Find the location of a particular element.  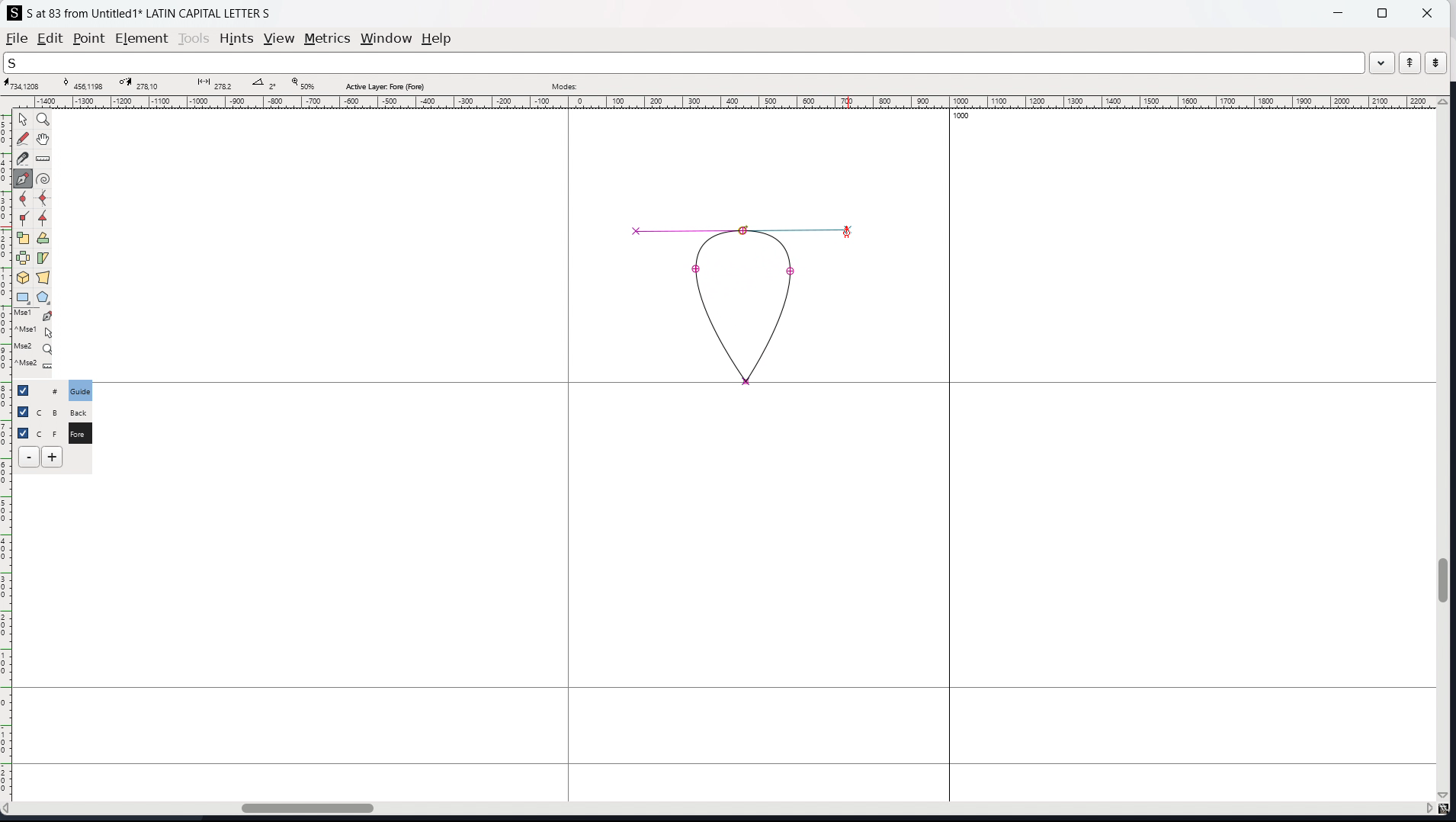

C B Back is located at coordinates (78, 410).